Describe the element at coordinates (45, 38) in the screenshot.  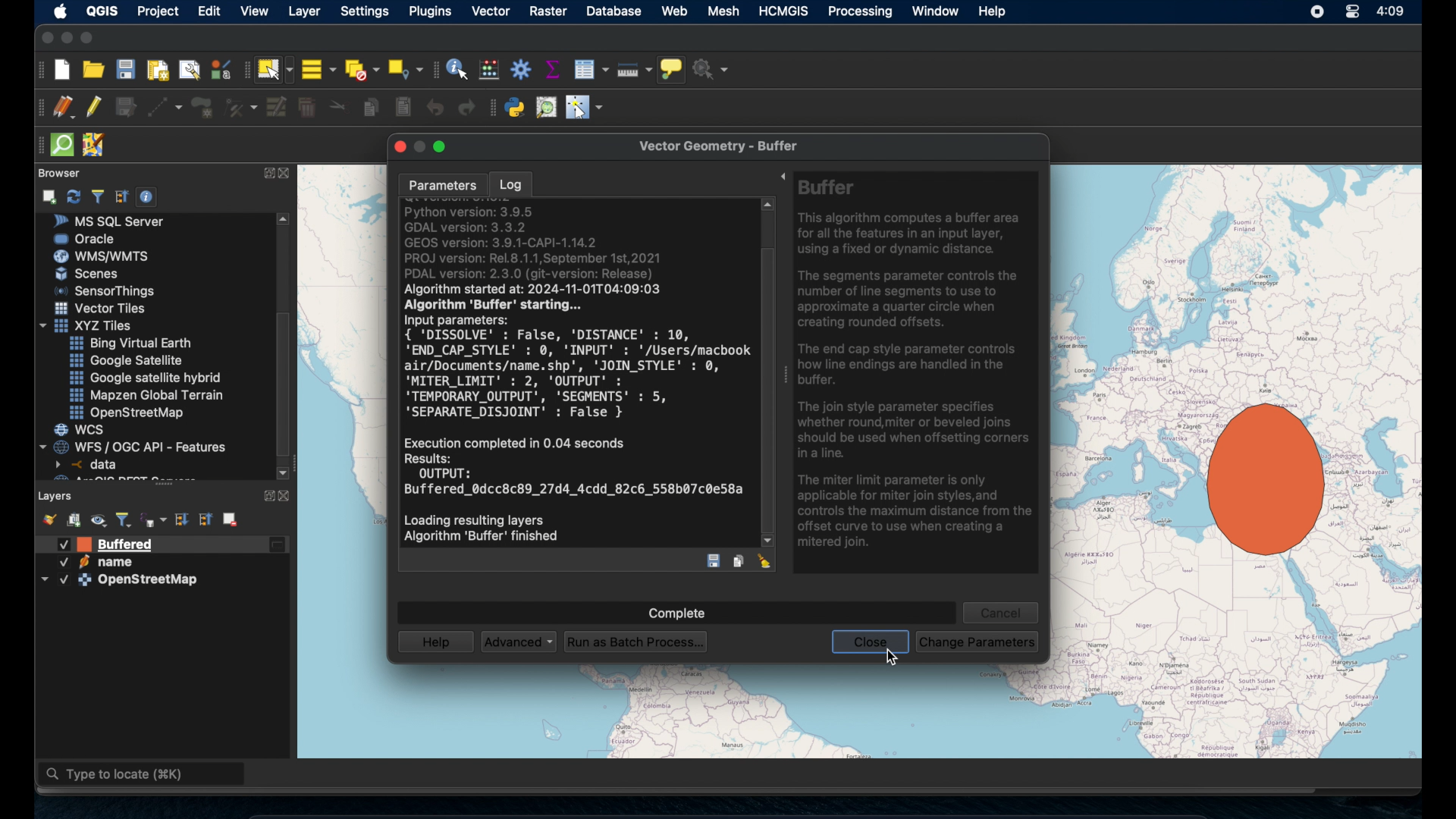
I see `close` at that location.